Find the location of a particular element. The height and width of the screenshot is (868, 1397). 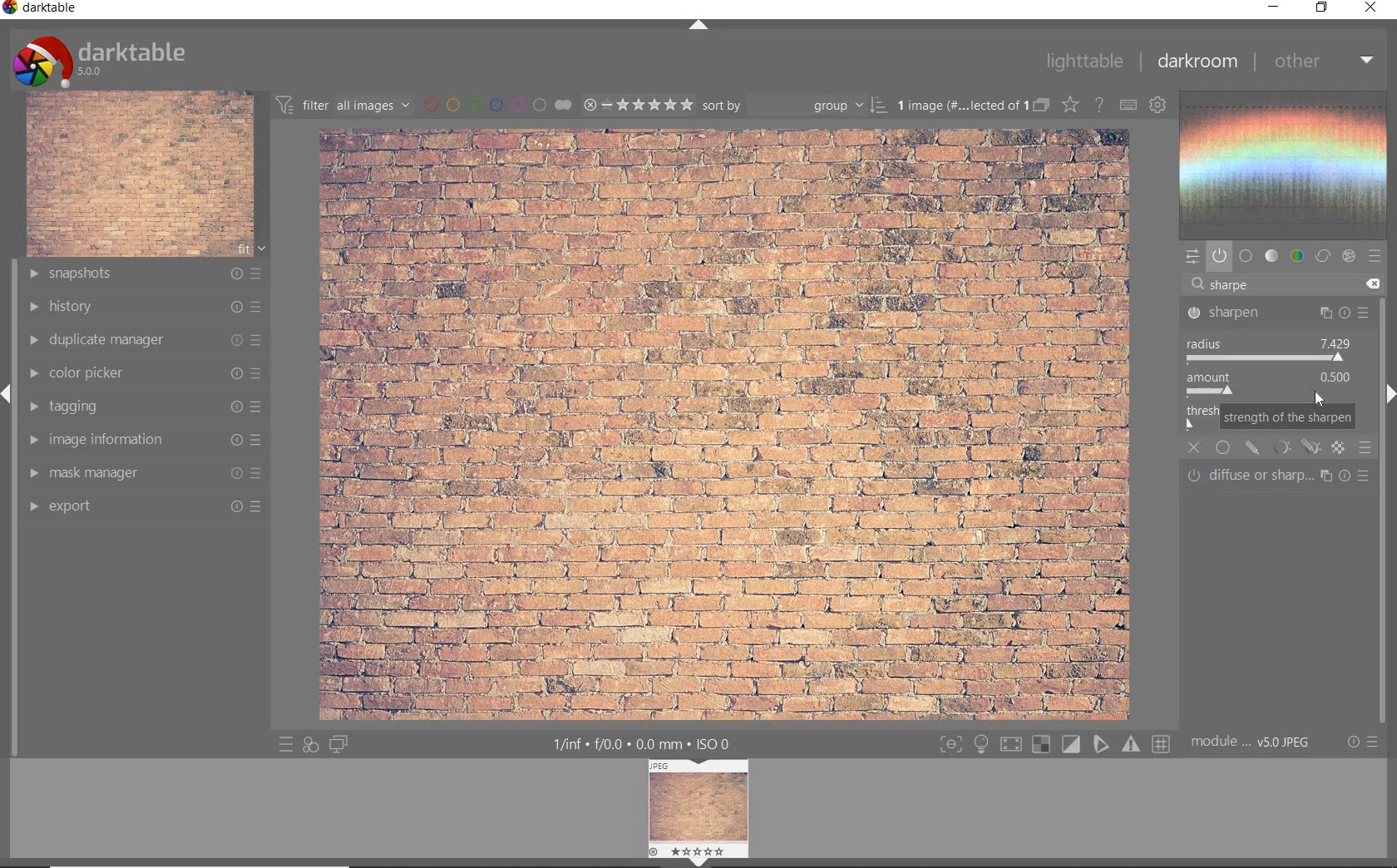

darktable is located at coordinates (42, 9).